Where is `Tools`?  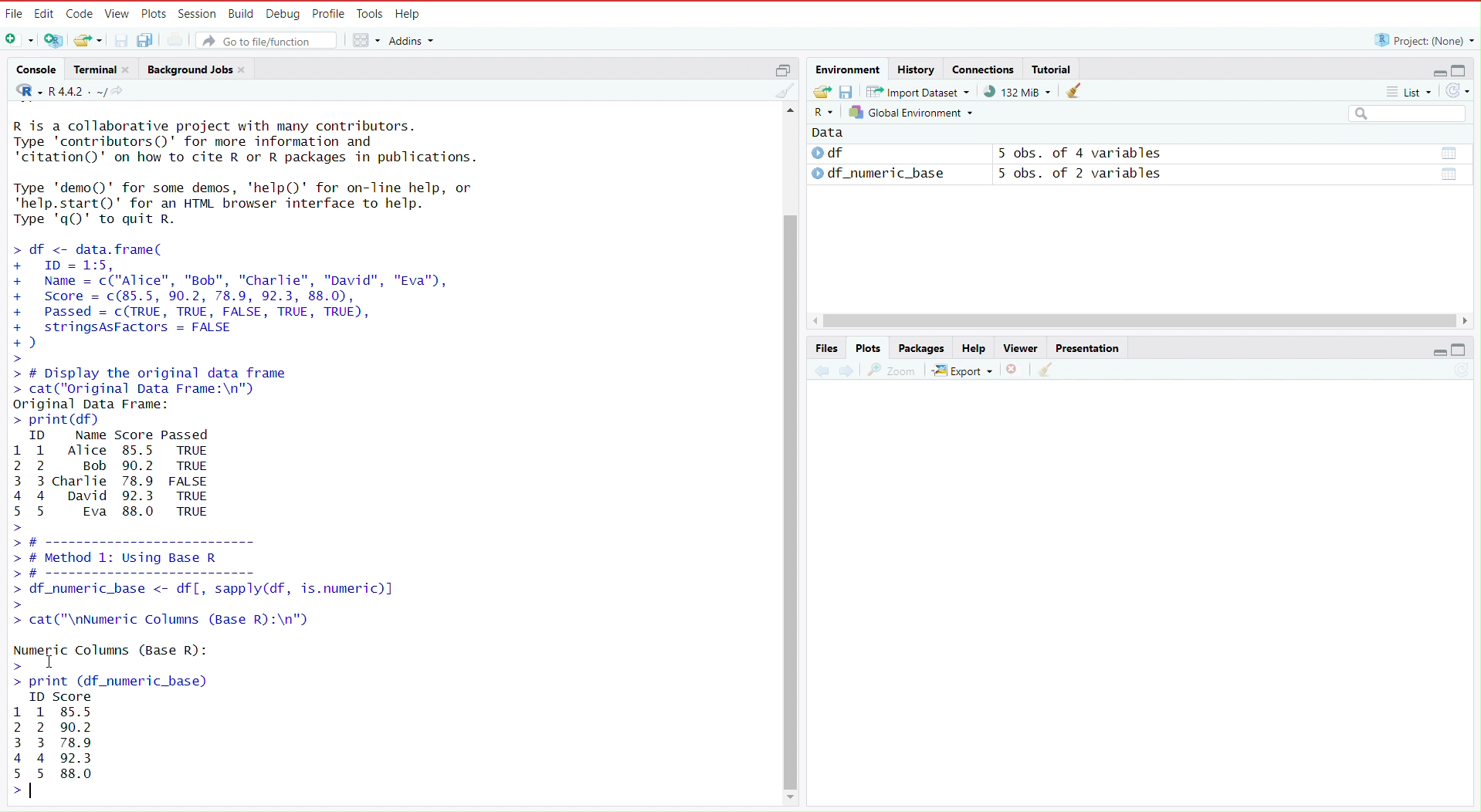 Tools is located at coordinates (371, 13).